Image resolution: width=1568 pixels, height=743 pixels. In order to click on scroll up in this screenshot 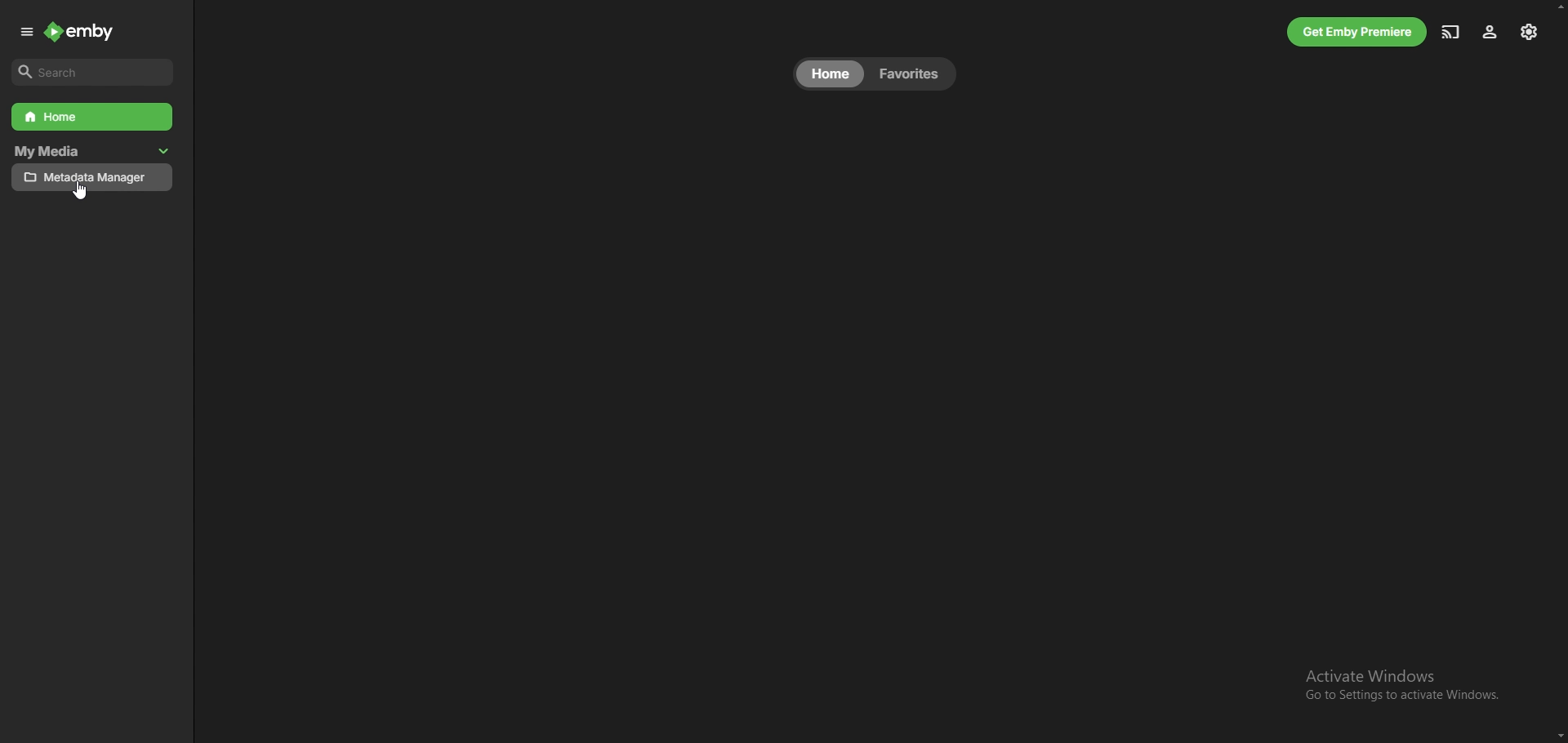, I will do `click(1558, 5)`.